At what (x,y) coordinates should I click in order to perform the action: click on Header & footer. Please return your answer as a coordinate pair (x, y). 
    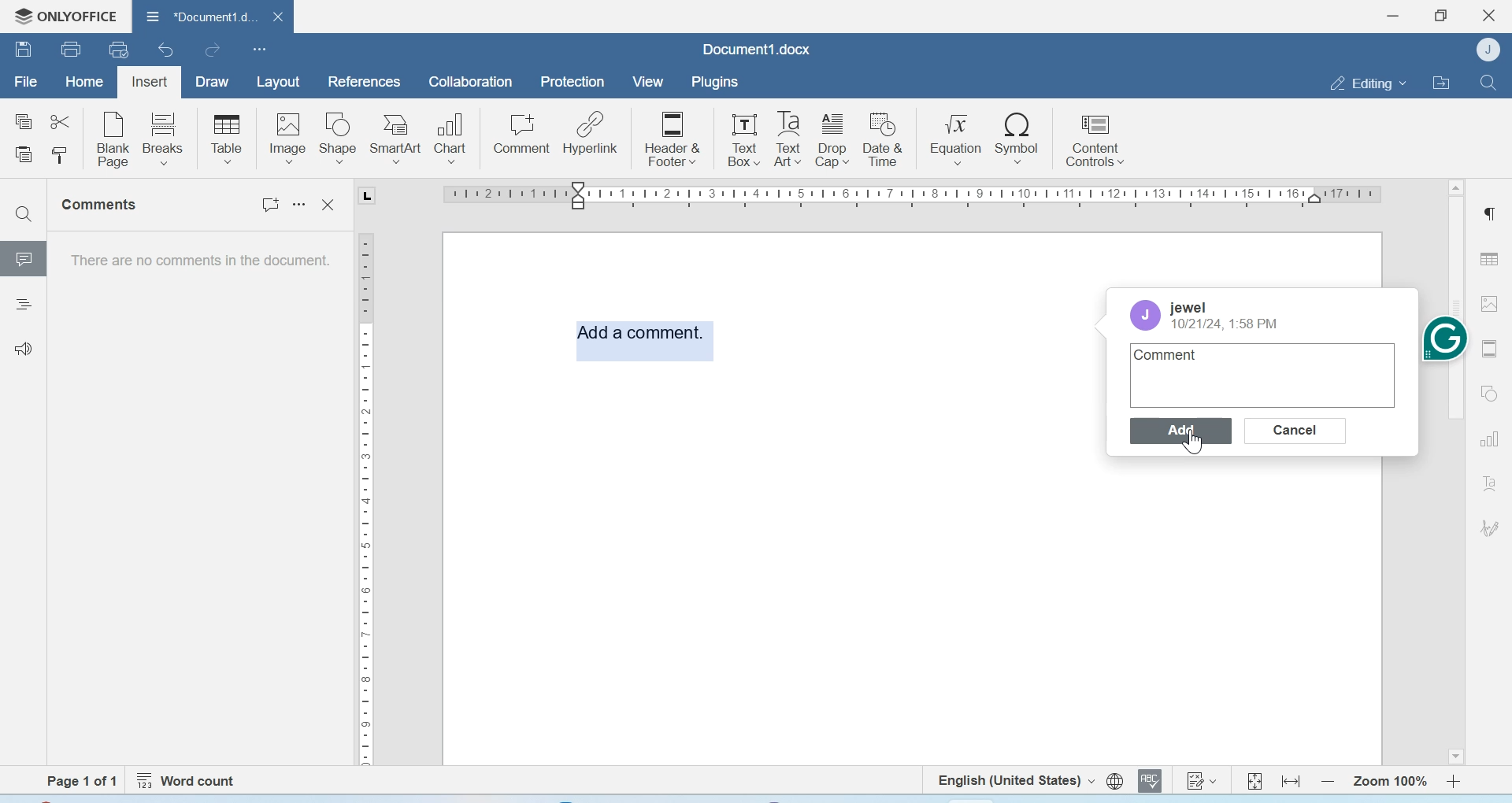
    Looking at the image, I should click on (1492, 349).